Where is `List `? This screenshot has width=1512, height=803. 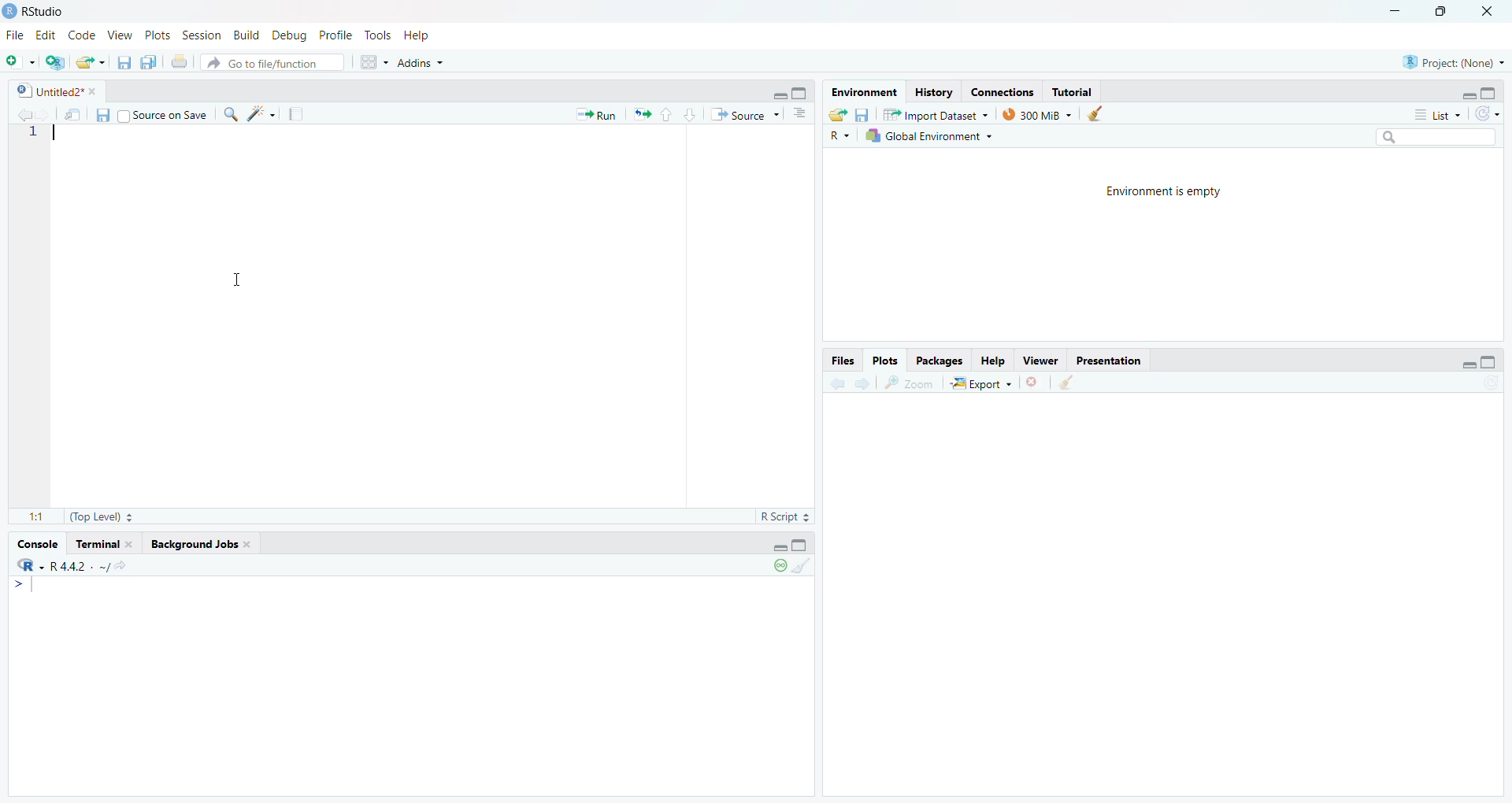 List  is located at coordinates (1440, 115).